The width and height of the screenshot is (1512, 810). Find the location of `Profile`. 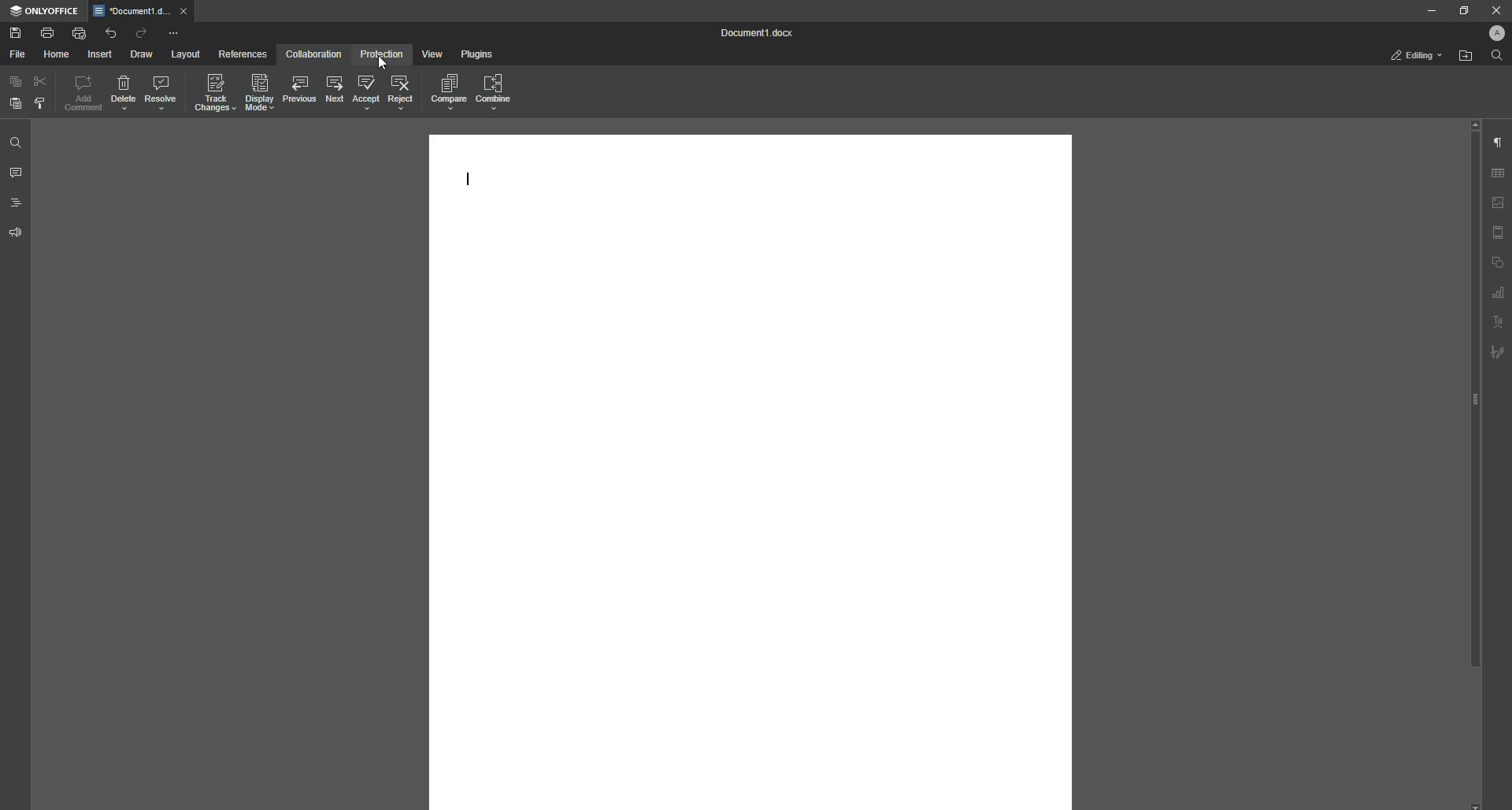

Profile is located at coordinates (1492, 33).